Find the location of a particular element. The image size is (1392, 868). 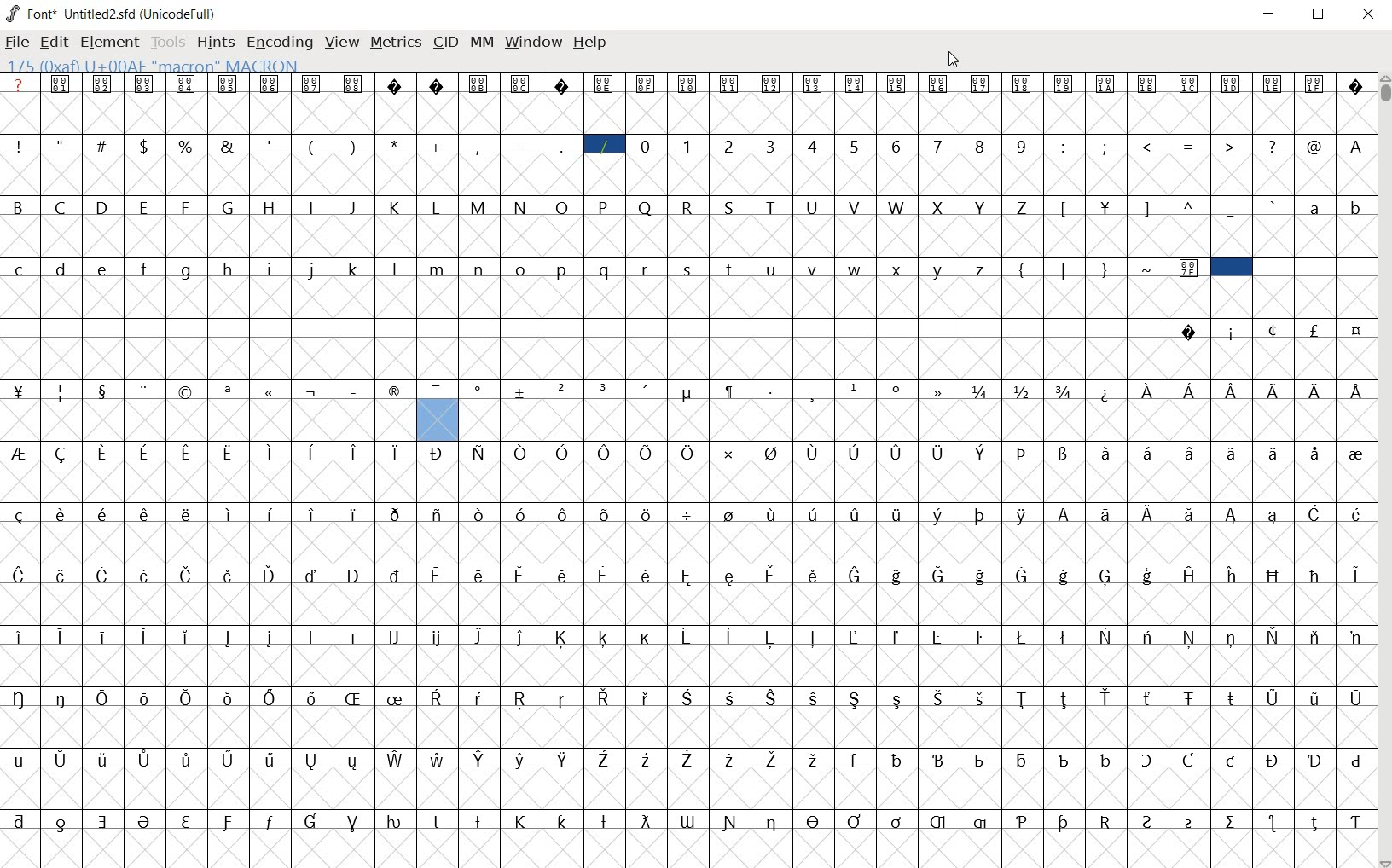

w is located at coordinates (855, 268).